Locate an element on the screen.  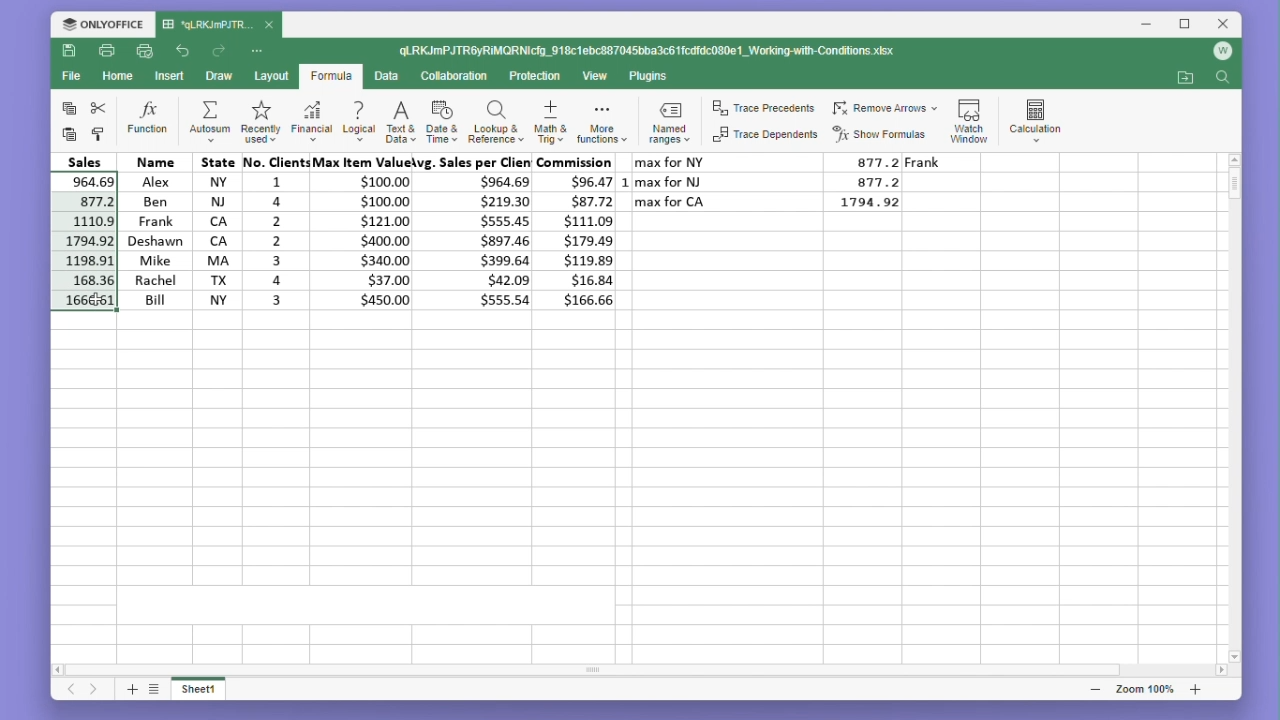
More options is located at coordinates (259, 51).